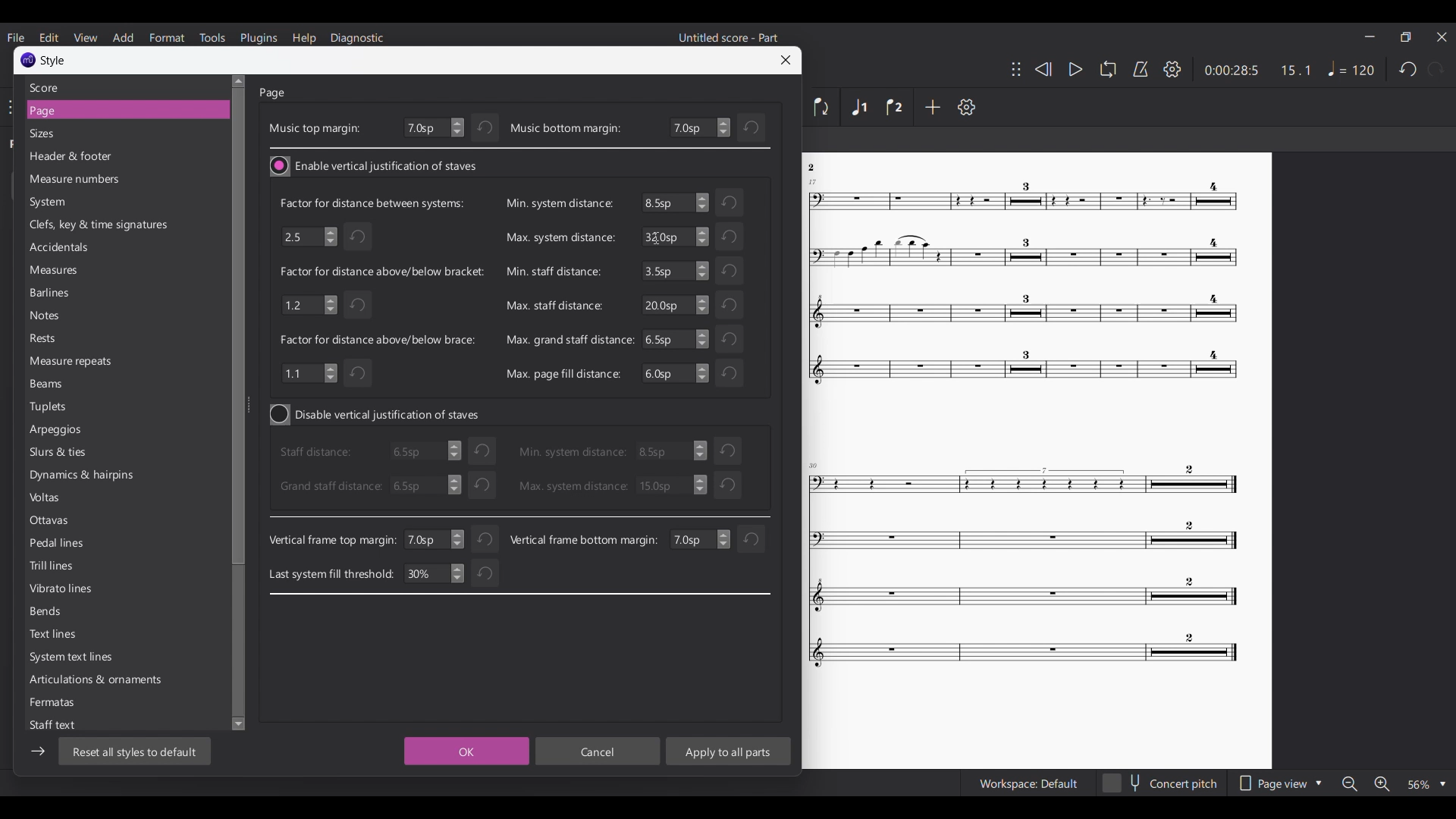 This screenshot has width=1456, height=819. Describe the element at coordinates (676, 339) in the screenshot. I see `6.5sp` at that location.